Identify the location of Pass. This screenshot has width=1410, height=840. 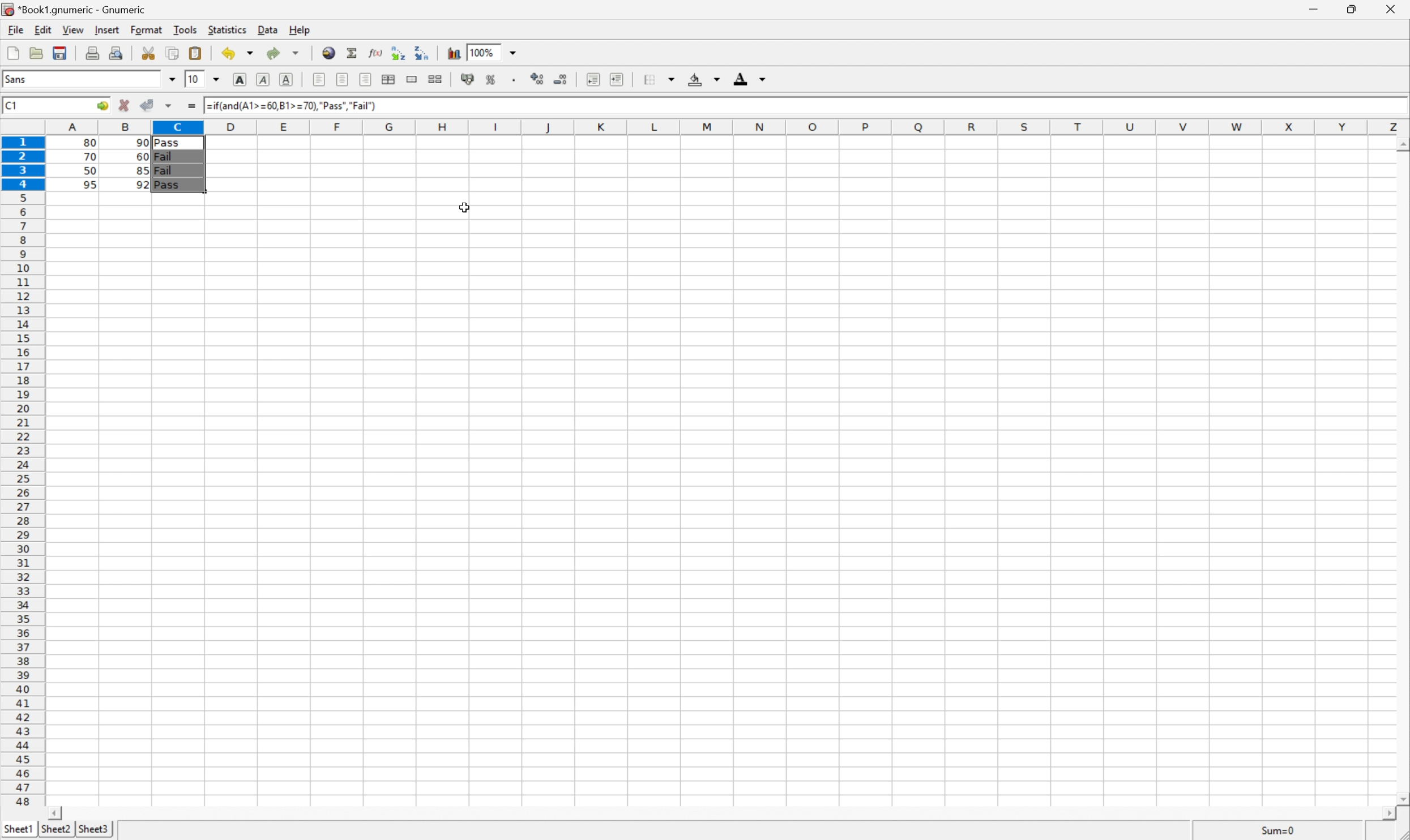
(178, 140).